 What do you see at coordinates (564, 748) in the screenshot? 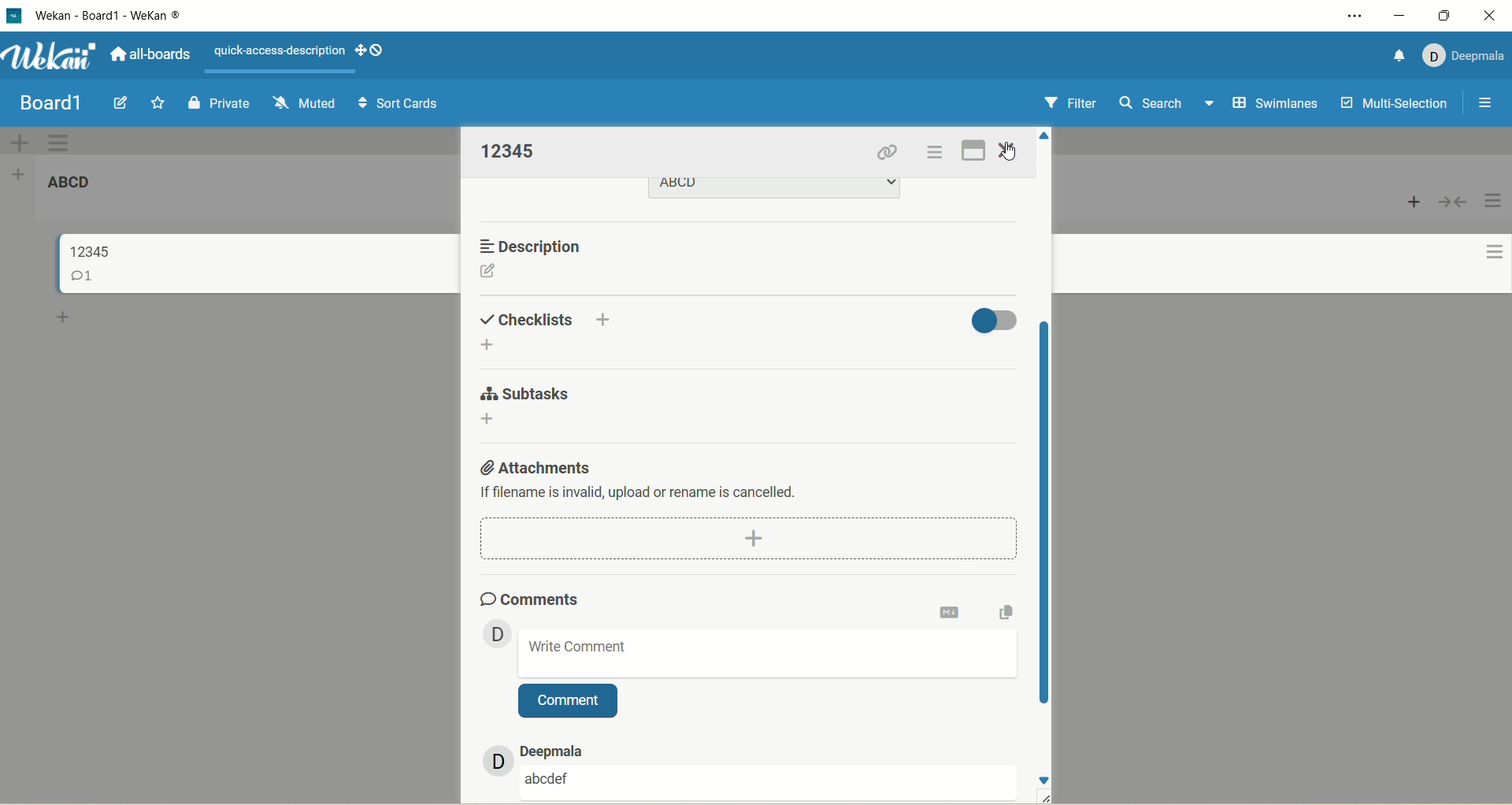
I see `name` at bounding box center [564, 748].